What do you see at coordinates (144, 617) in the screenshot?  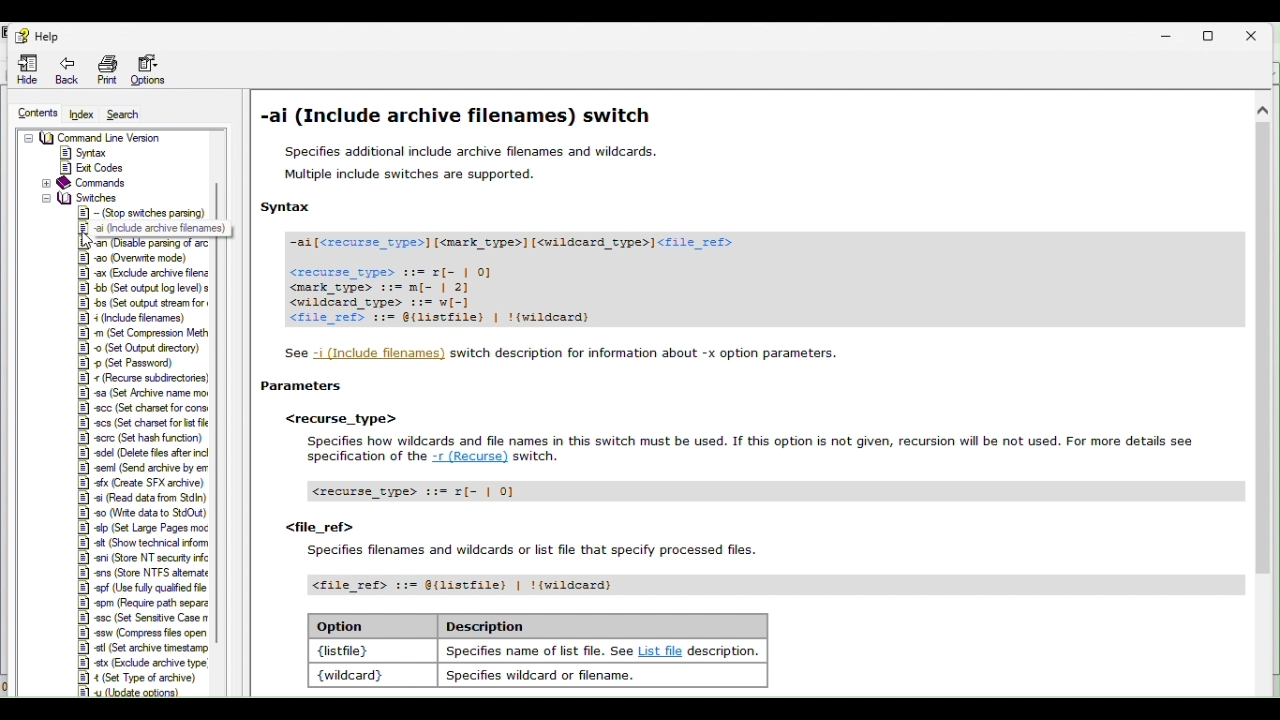 I see `SSC (set Senstive case` at bounding box center [144, 617].